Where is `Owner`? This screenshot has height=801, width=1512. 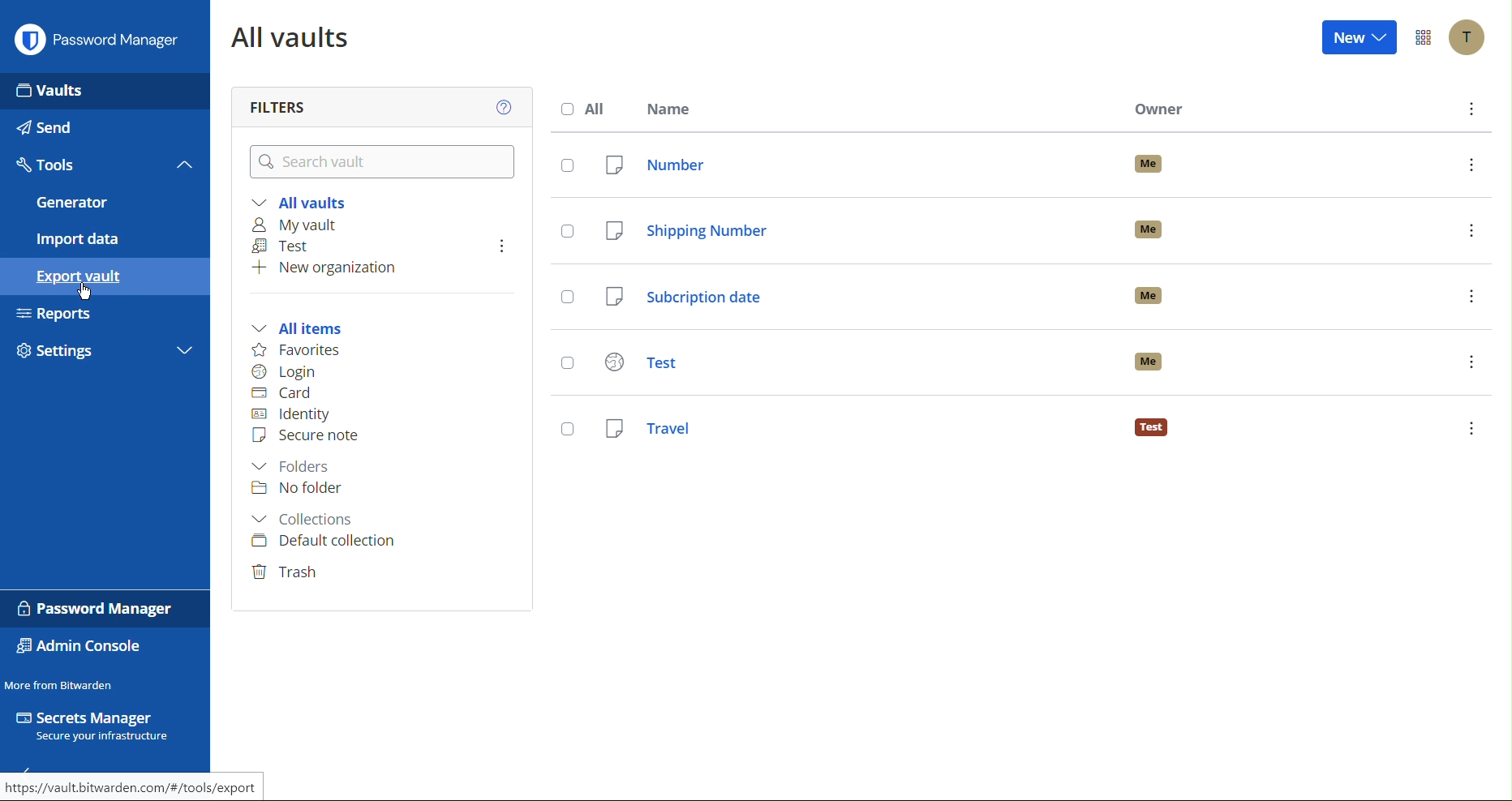
Owner is located at coordinates (1166, 109).